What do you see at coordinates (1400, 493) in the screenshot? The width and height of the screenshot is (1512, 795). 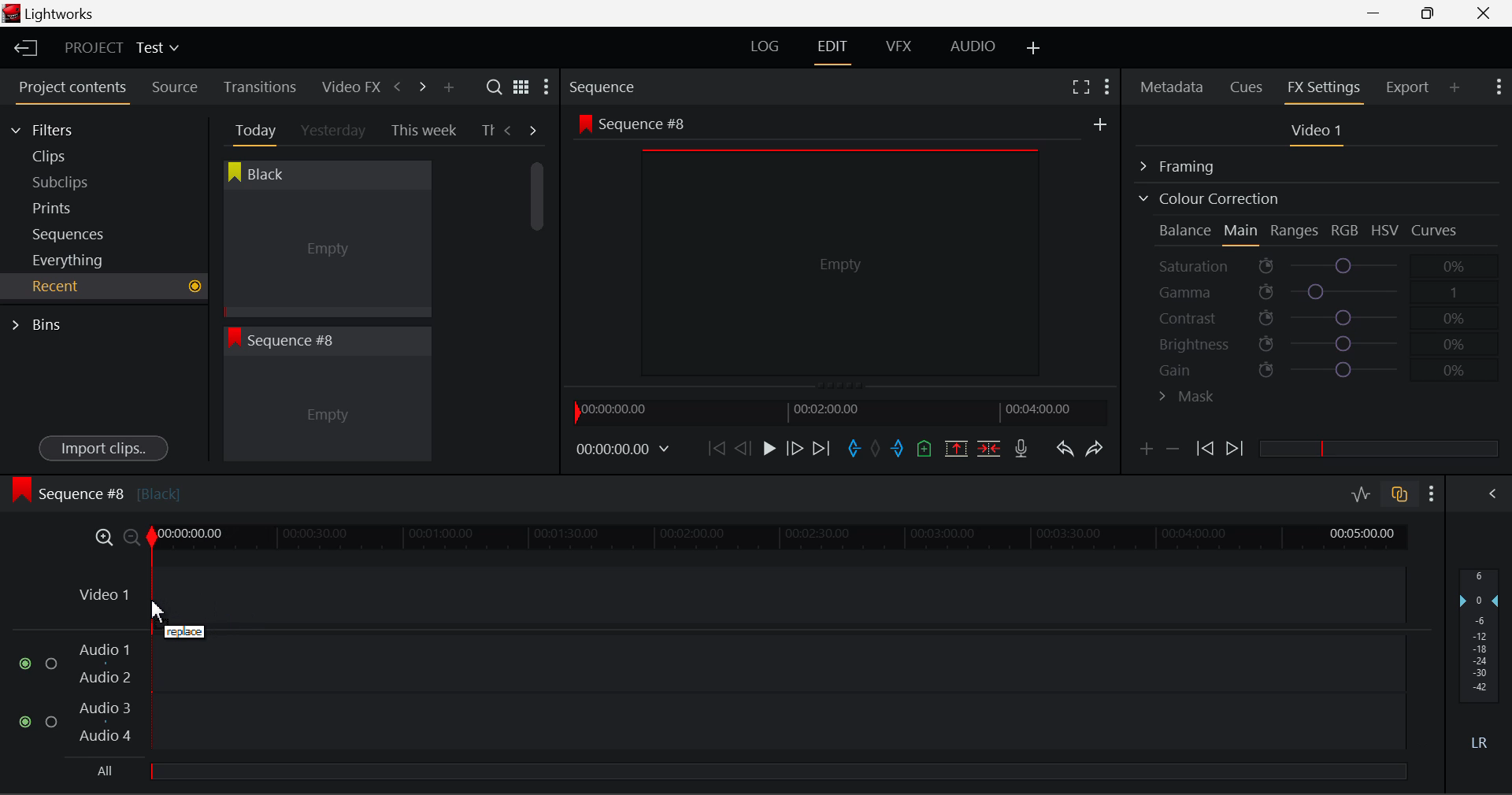 I see `Toggle audio track sync` at bounding box center [1400, 493].